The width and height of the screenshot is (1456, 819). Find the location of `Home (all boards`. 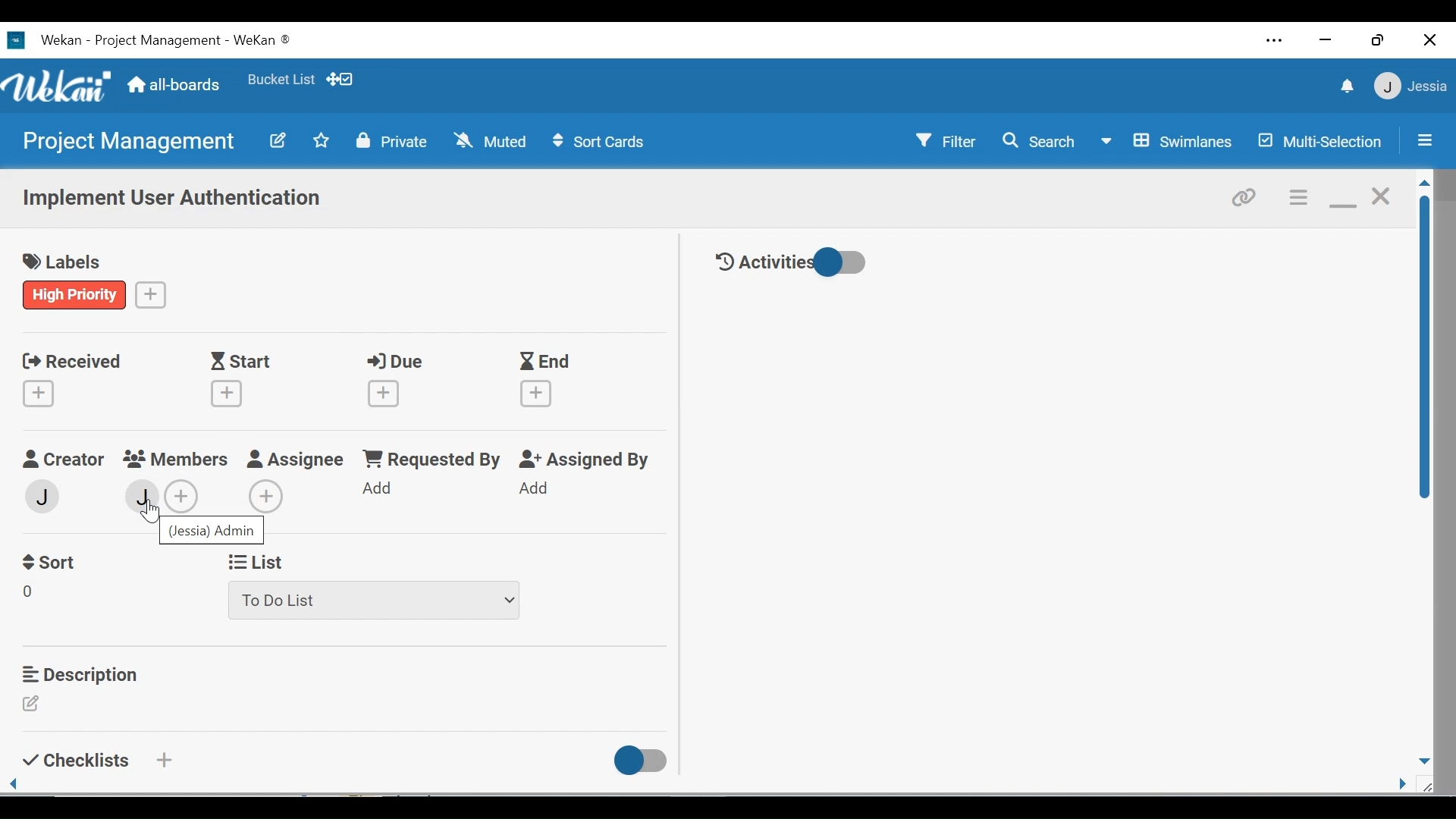

Home (all boards is located at coordinates (175, 83).